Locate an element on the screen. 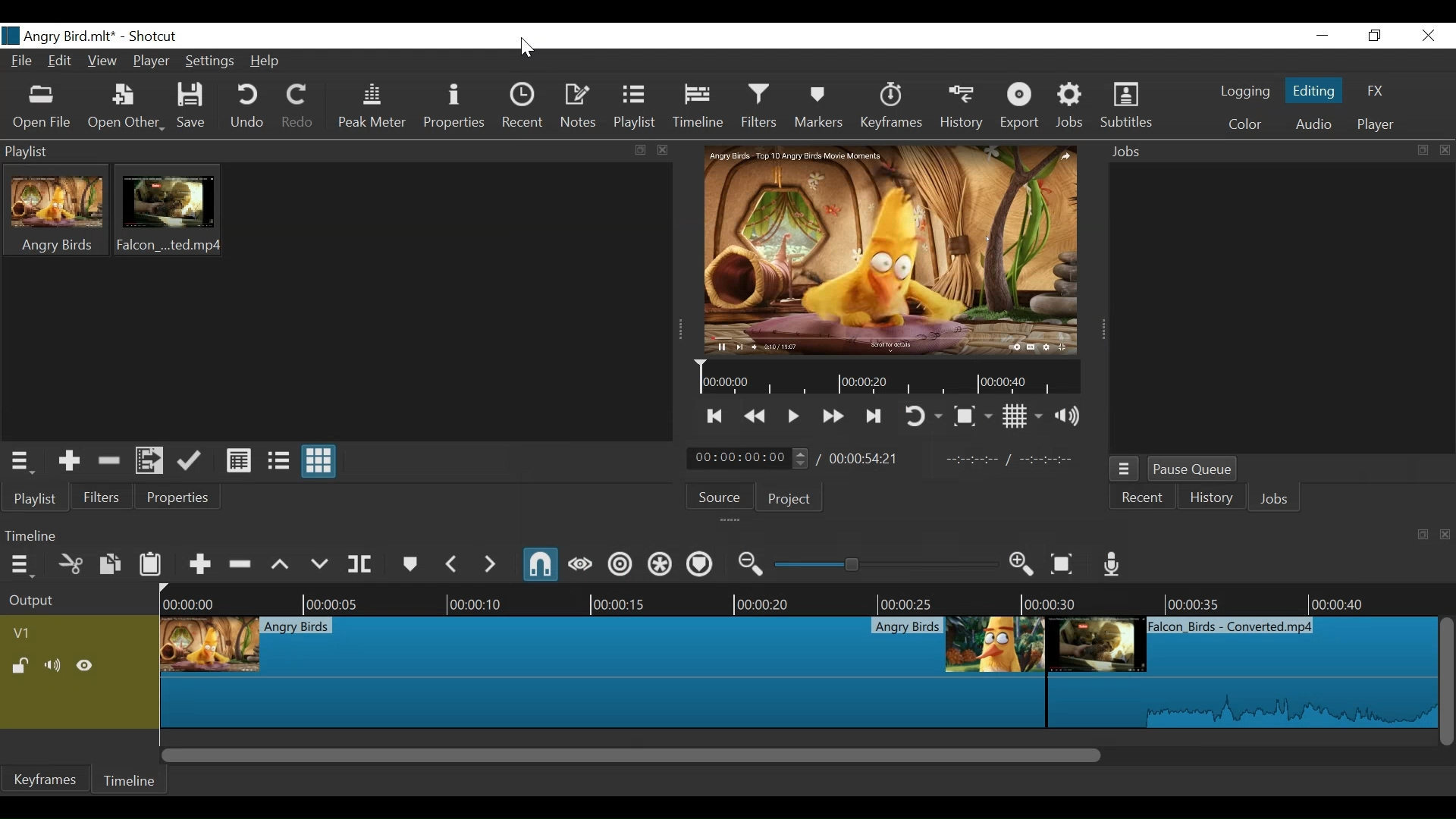 The height and width of the screenshot is (819, 1456). Cut is located at coordinates (71, 565).